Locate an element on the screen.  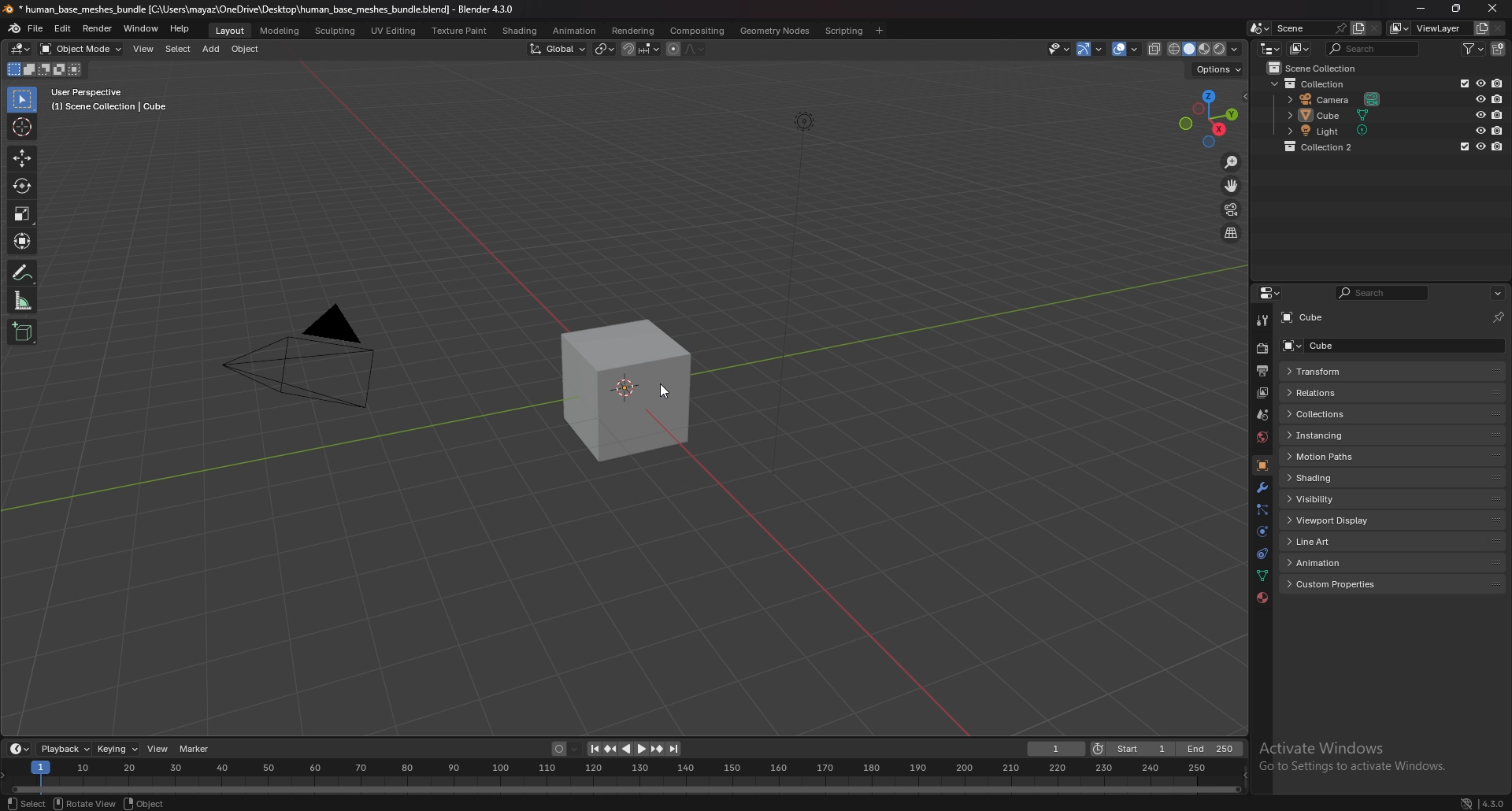
rotate view is located at coordinates (83, 804).